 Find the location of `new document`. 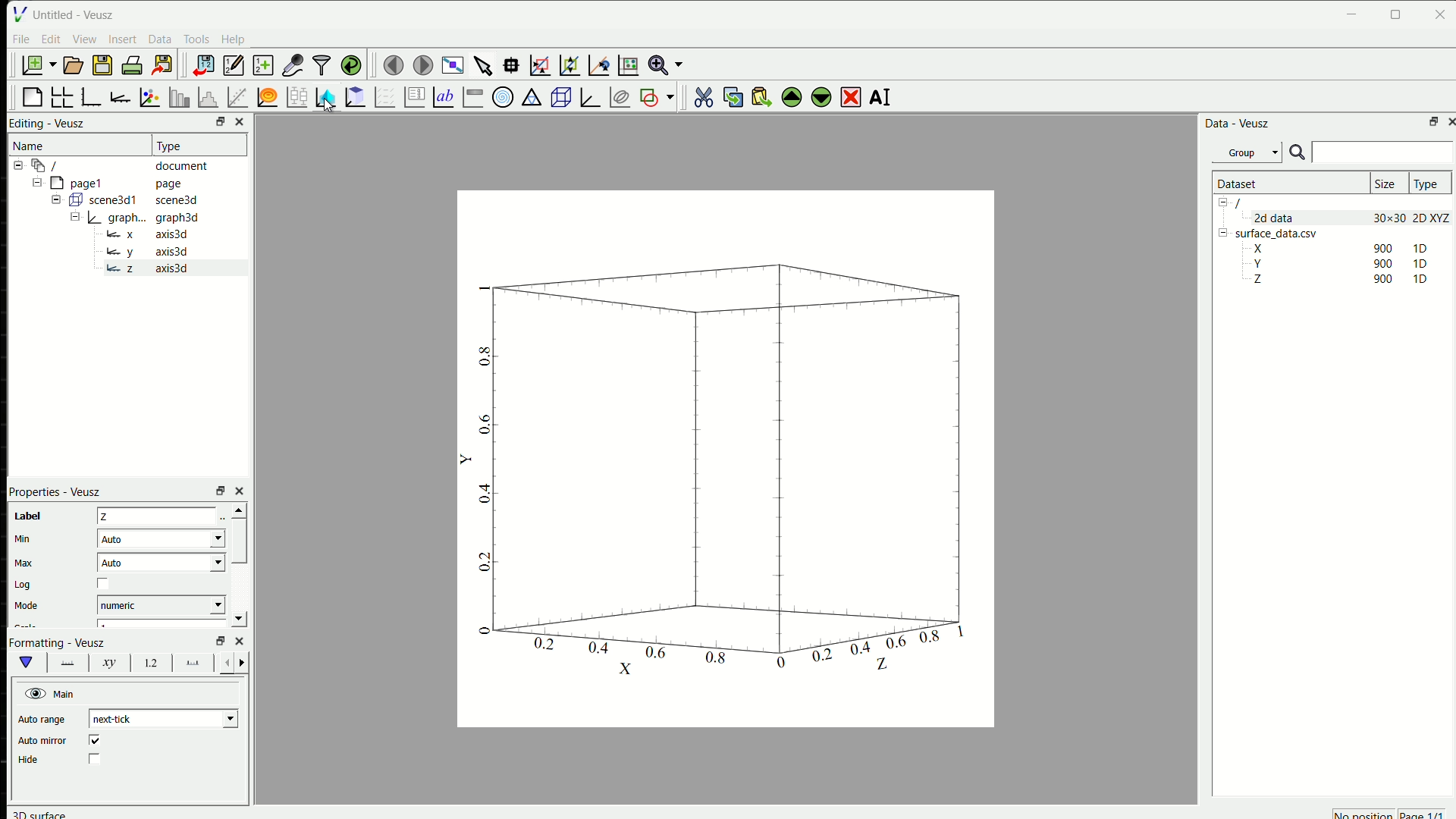

new document is located at coordinates (39, 64).